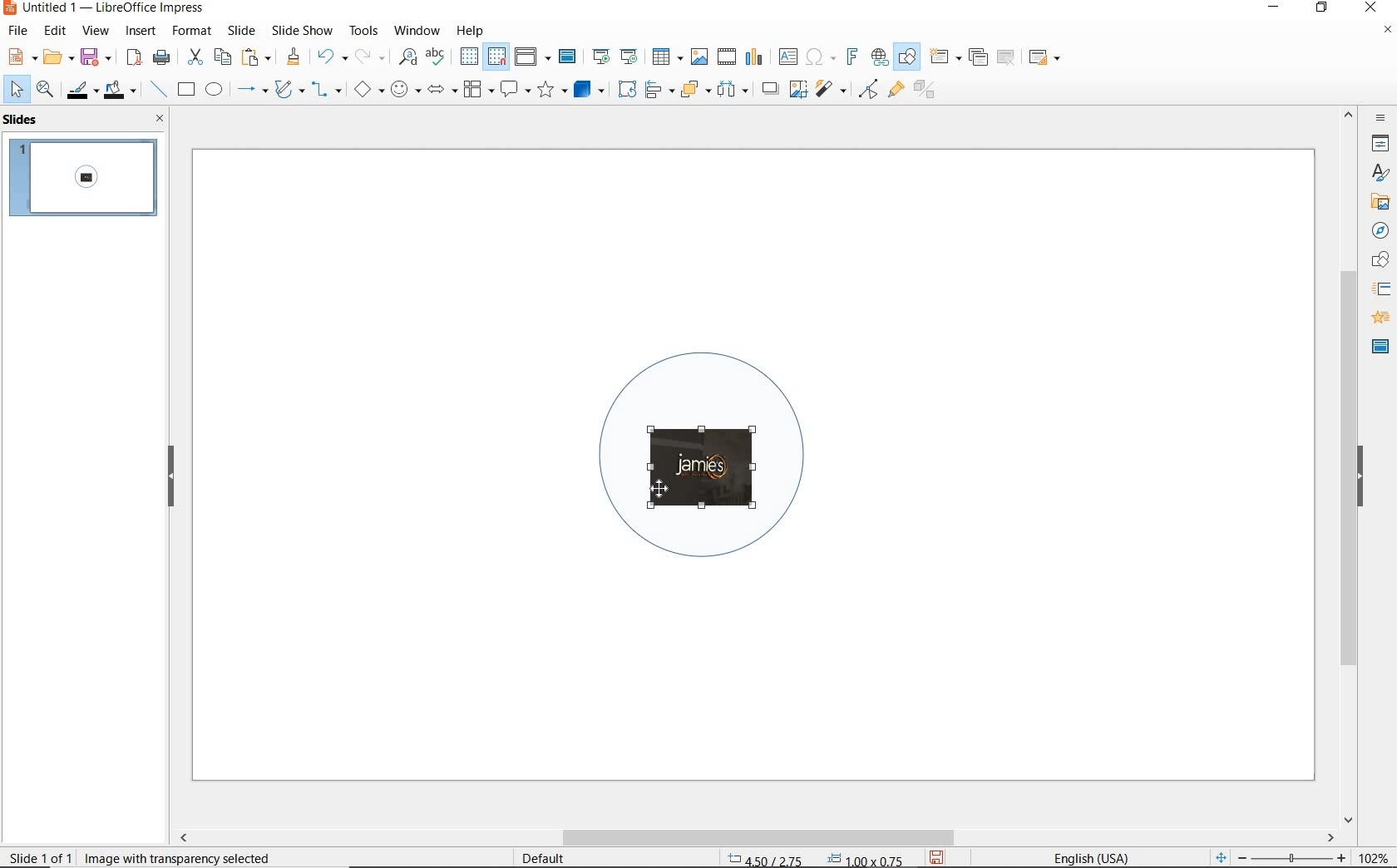  What do you see at coordinates (56, 57) in the screenshot?
I see `open` at bounding box center [56, 57].